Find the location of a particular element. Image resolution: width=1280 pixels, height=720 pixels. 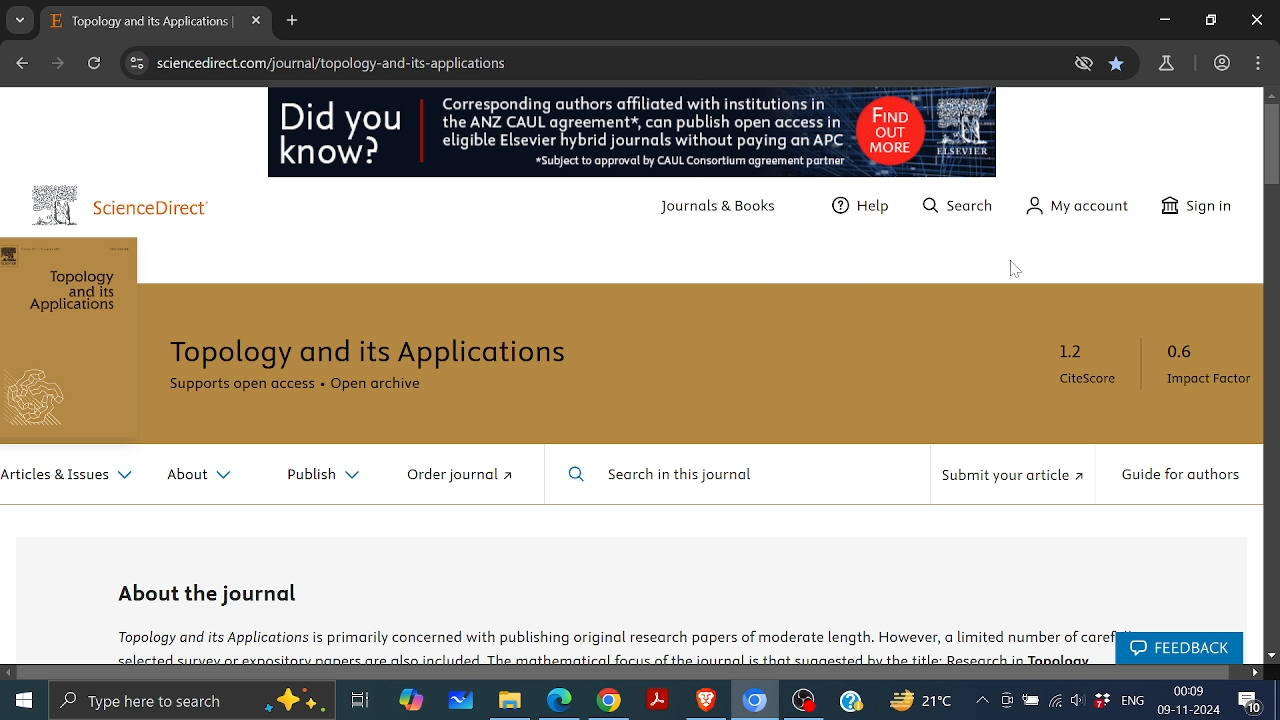

Topology and its Applications is primarily concerned with publishing original research papers of moderate length. However, a limited number of c... is located at coordinates (607, 644).